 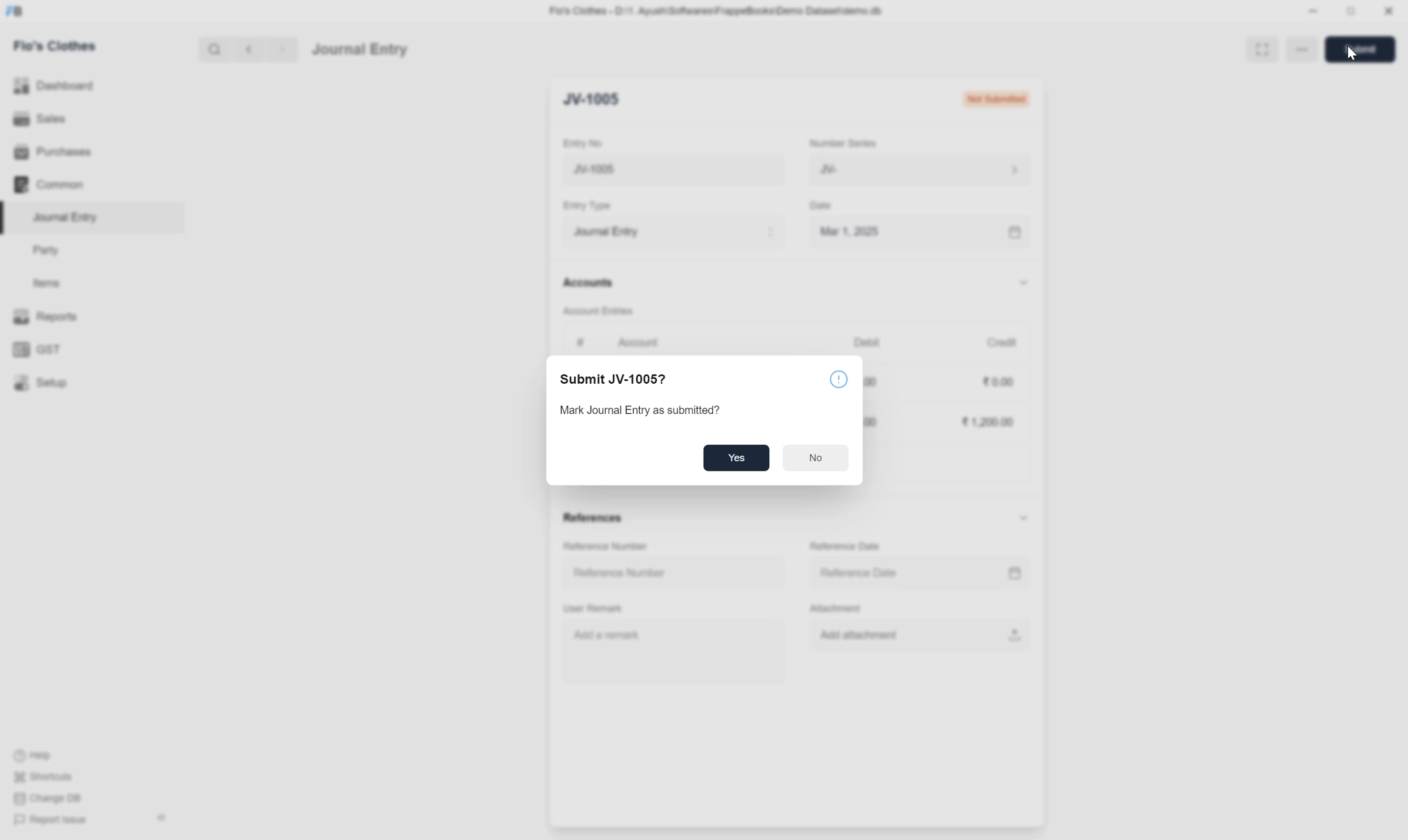 I want to click on New Entry, so click(x=600, y=98).